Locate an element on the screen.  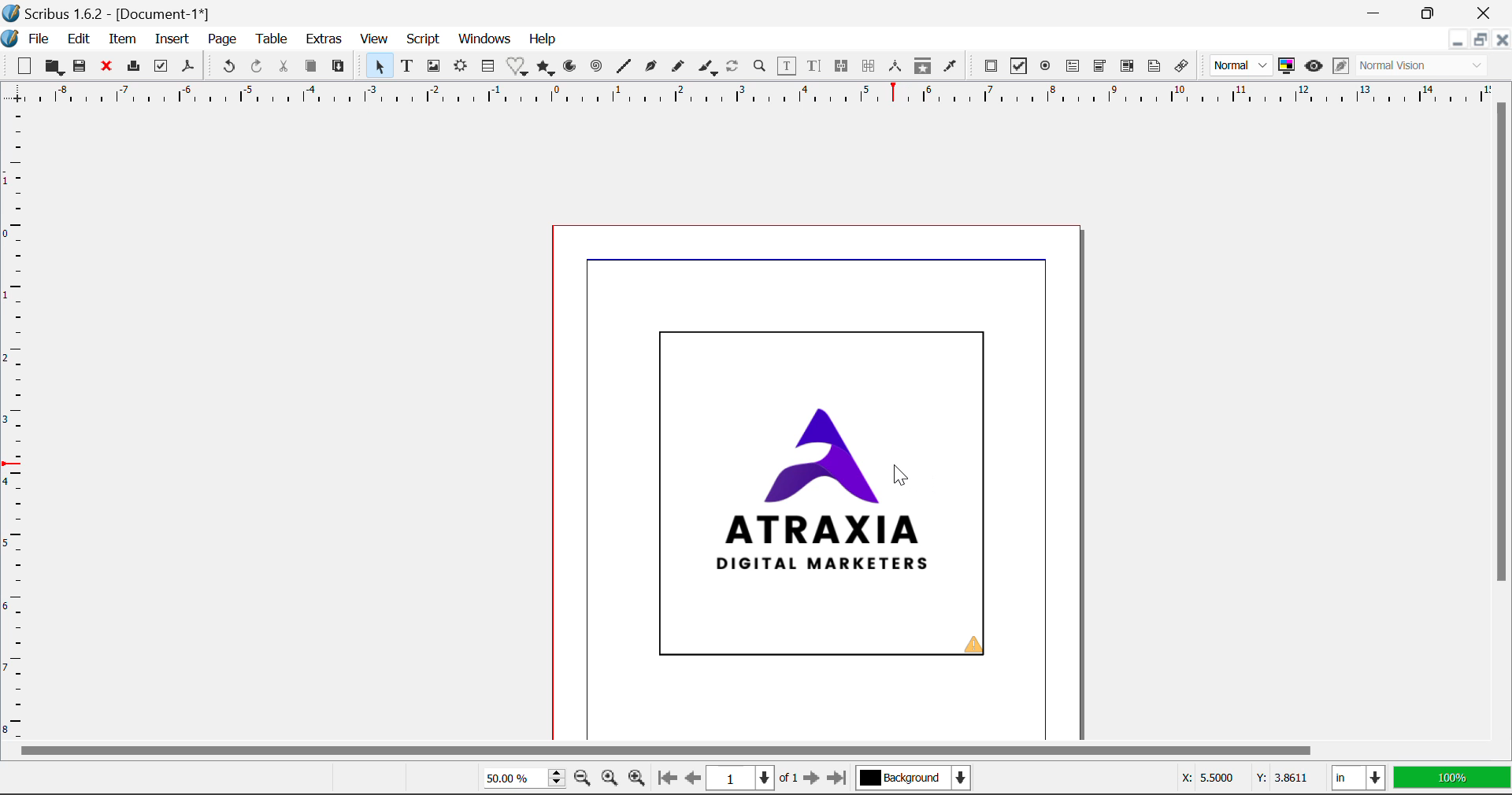
Scribus 1.6.2 - [Document-1*] is located at coordinates (115, 15).